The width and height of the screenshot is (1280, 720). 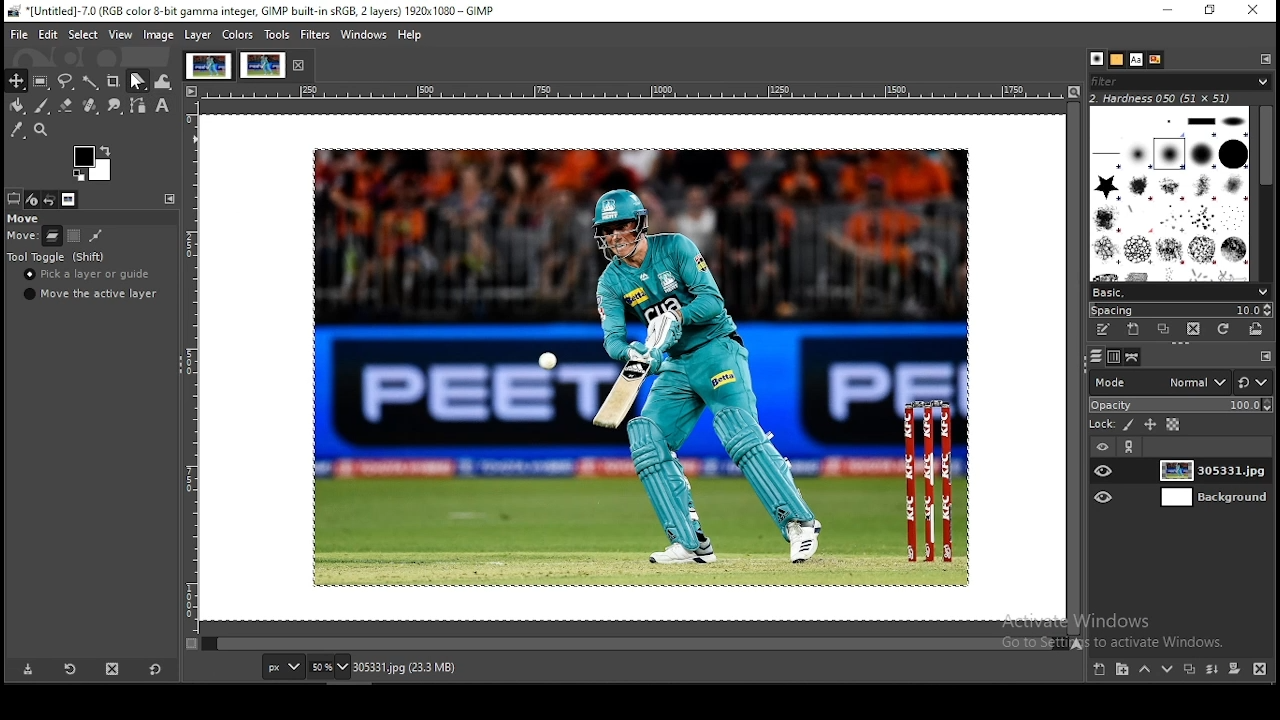 What do you see at coordinates (1133, 357) in the screenshot?
I see `layers` at bounding box center [1133, 357].